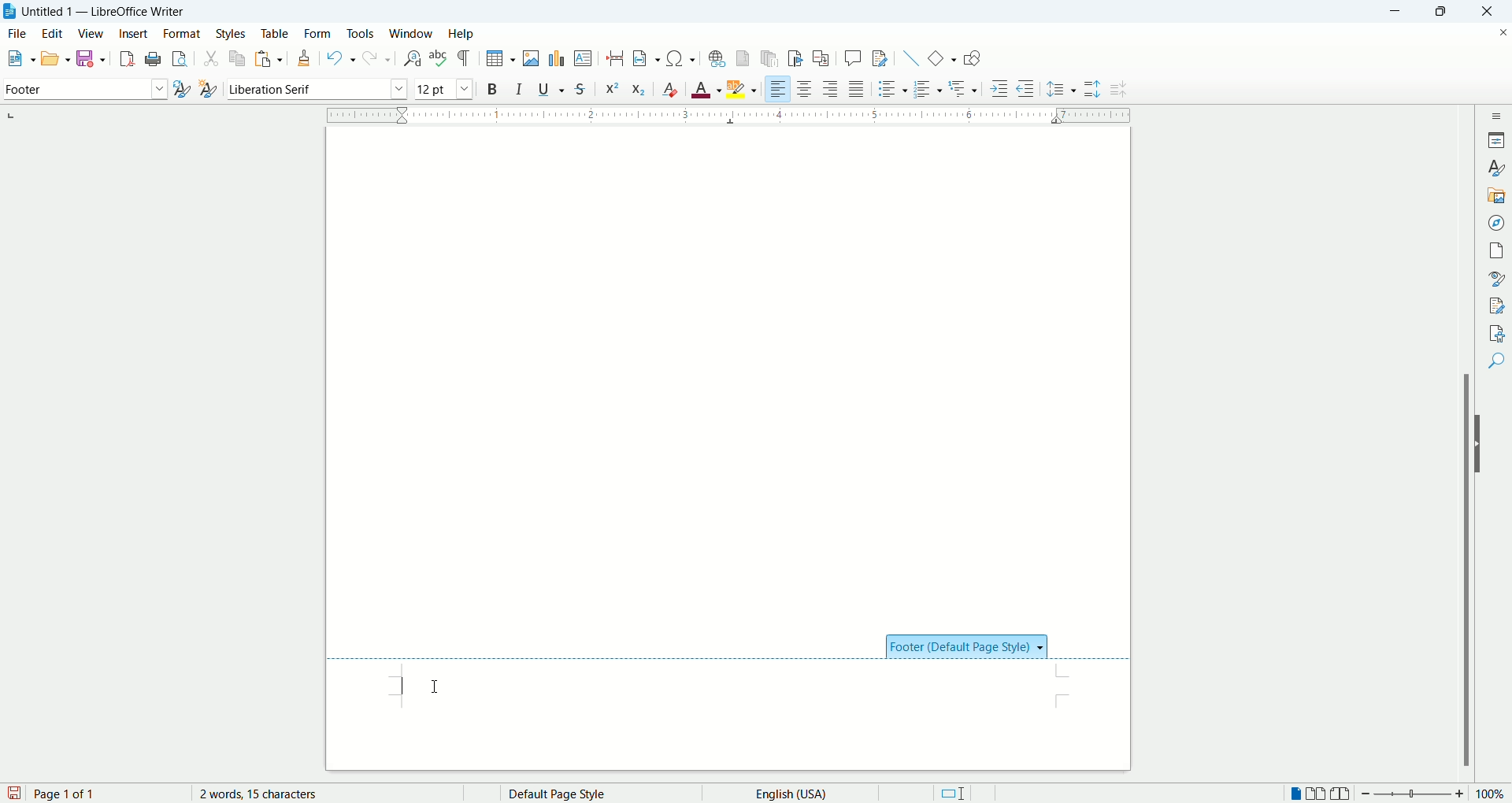  What do you see at coordinates (799, 58) in the screenshot?
I see `insert bookmark` at bounding box center [799, 58].